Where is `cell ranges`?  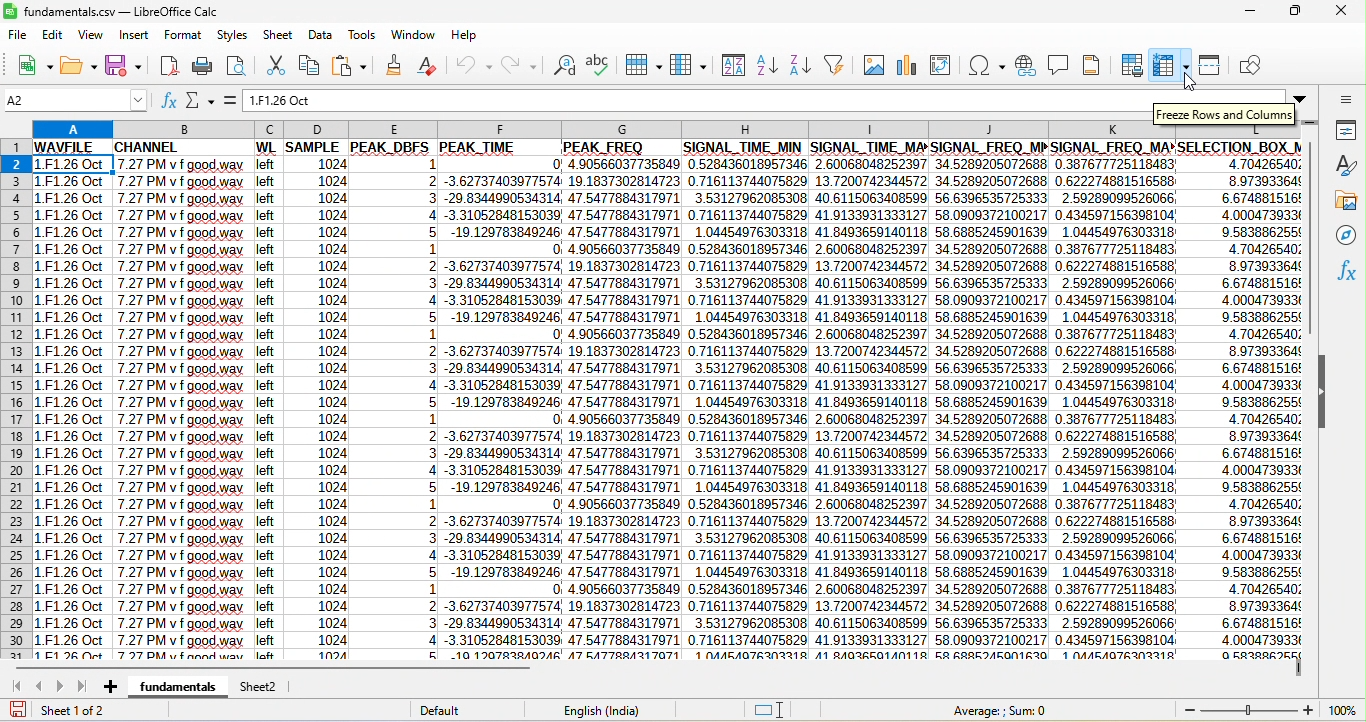 cell ranges is located at coordinates (670, 400).